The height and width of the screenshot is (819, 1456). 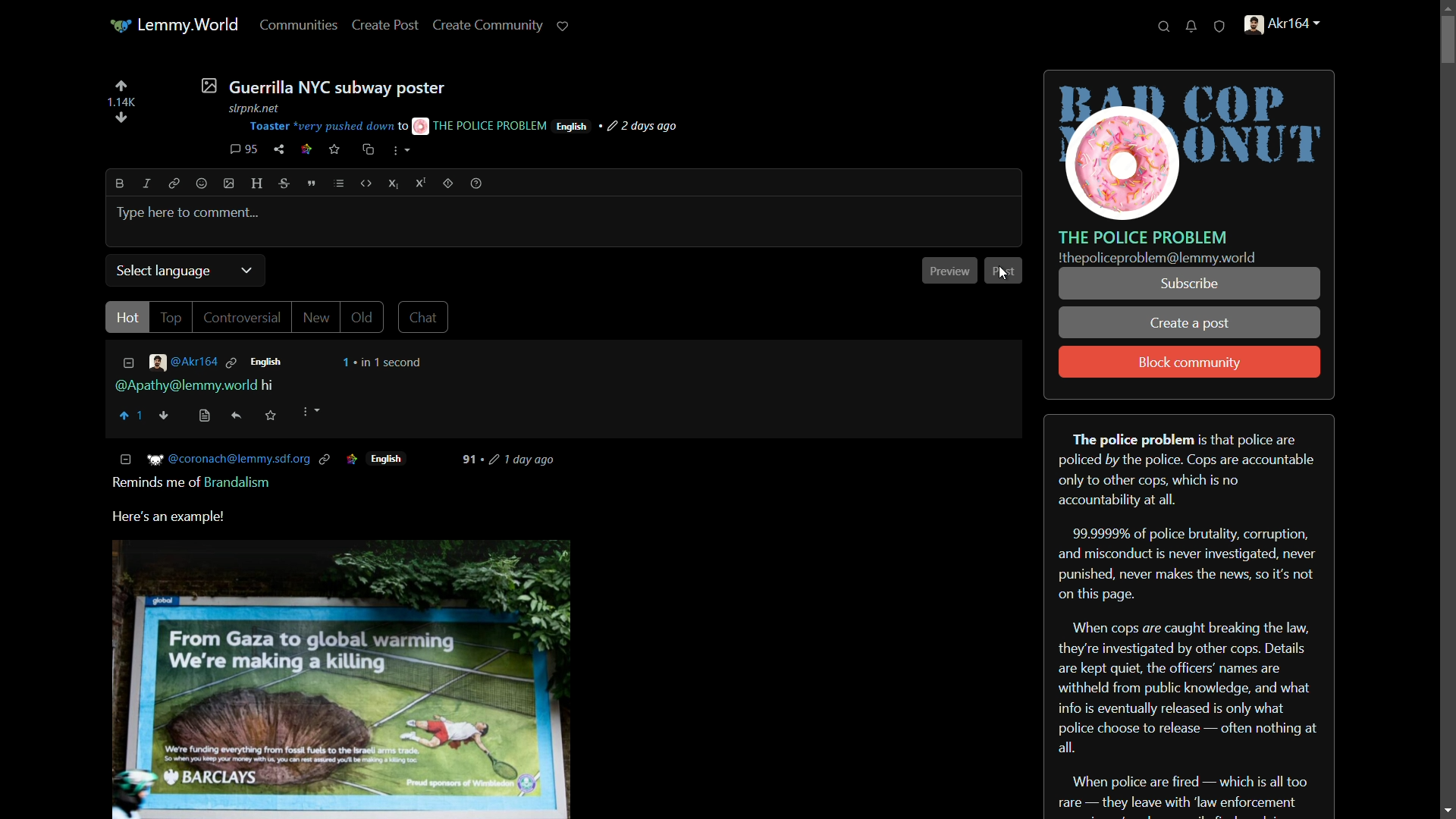 What do you see at coordinates (563, 26) in the screenshot?
I see `support lemmy.world` at bounding box center [563, 26].